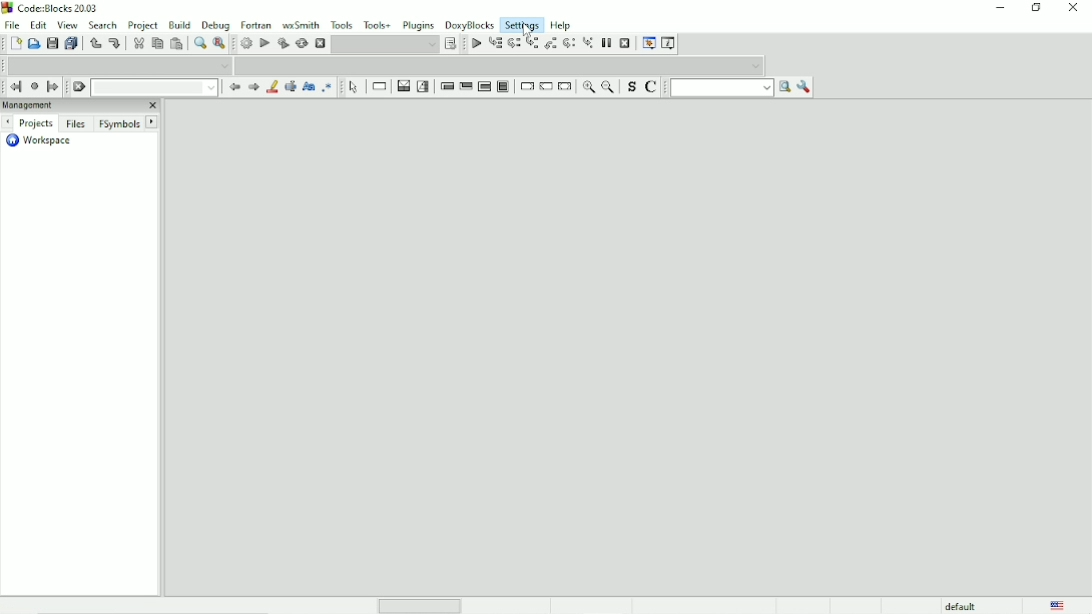 The width and height of the screenshot is (1092, 614). What do you see at coordinates (447, 87) in the screenshot?
I see `Entry condition loop` at bounding box center [447, 87].